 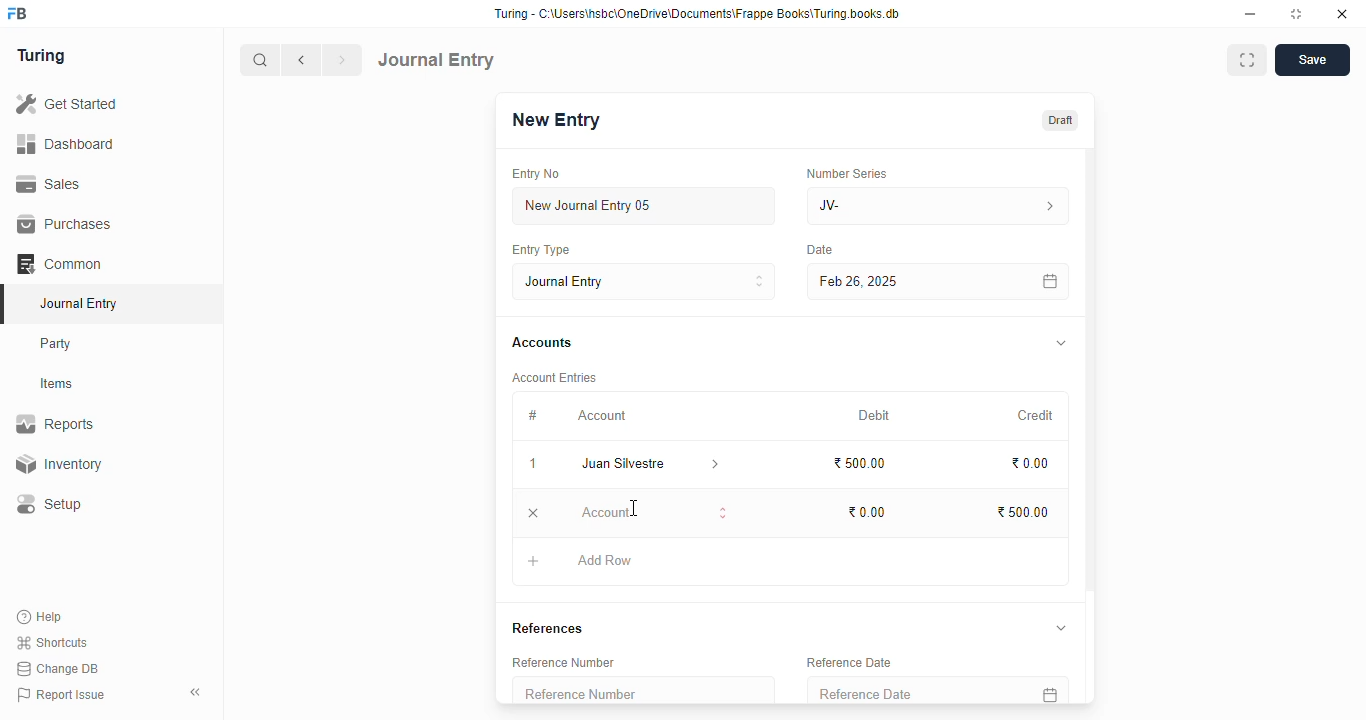 What do you see at coordinates (605, 561) in the screenshot?
I see `add row` at bounding box center [605, 561].